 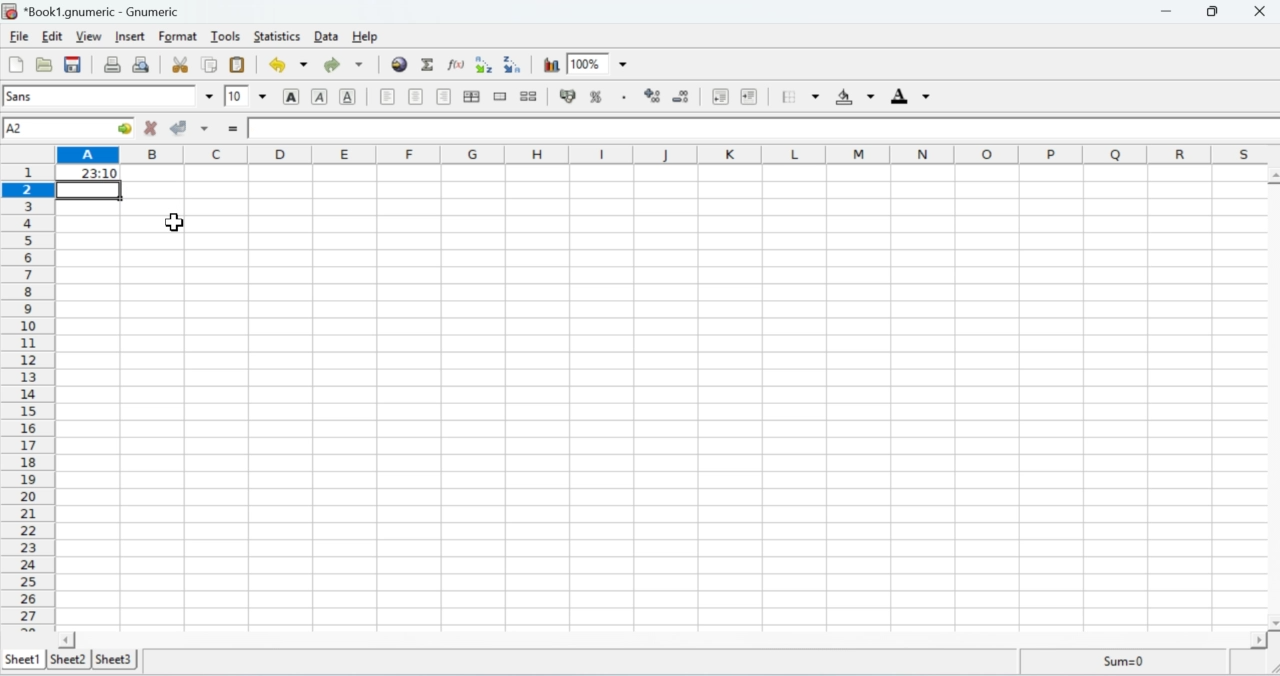 I want to click on Print preview, so click(x=142, y=65).